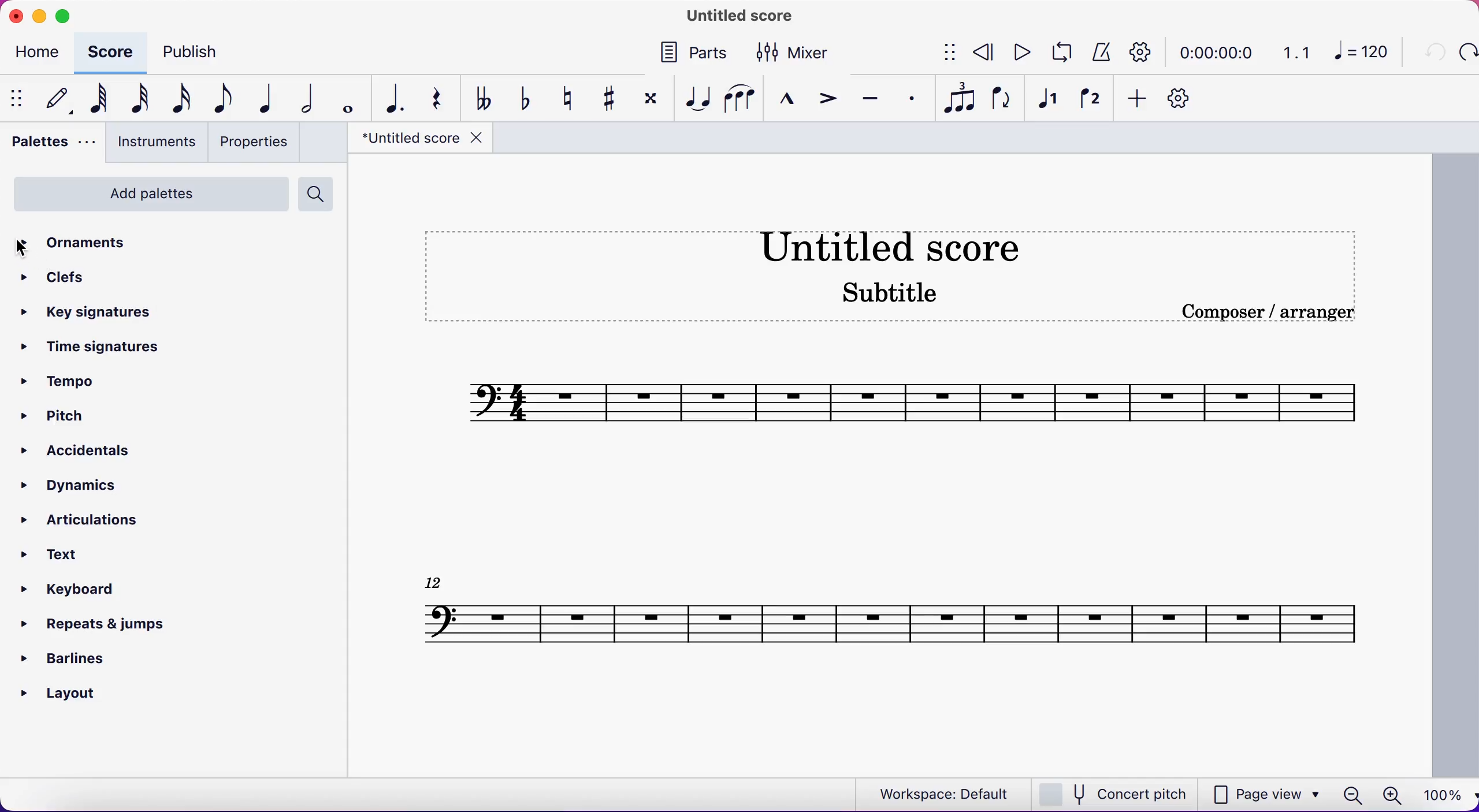 Image resolution: width=1479 pixels, height=812 pixels. I want to click on clefs, so click(66, 274).